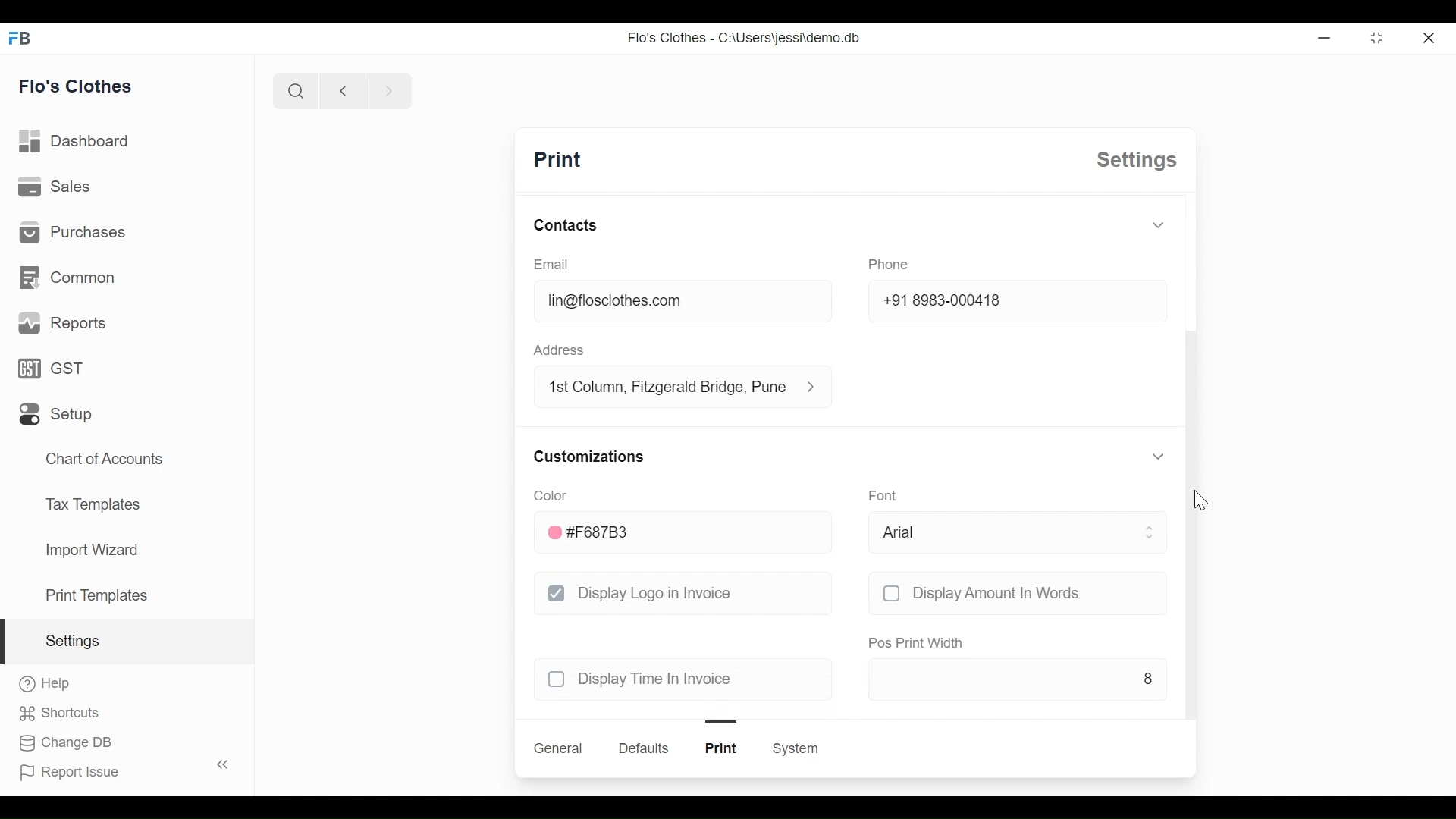 The height and width of the screenshot is (819, 1456). I want to click on checkbox, so click(891, 593).